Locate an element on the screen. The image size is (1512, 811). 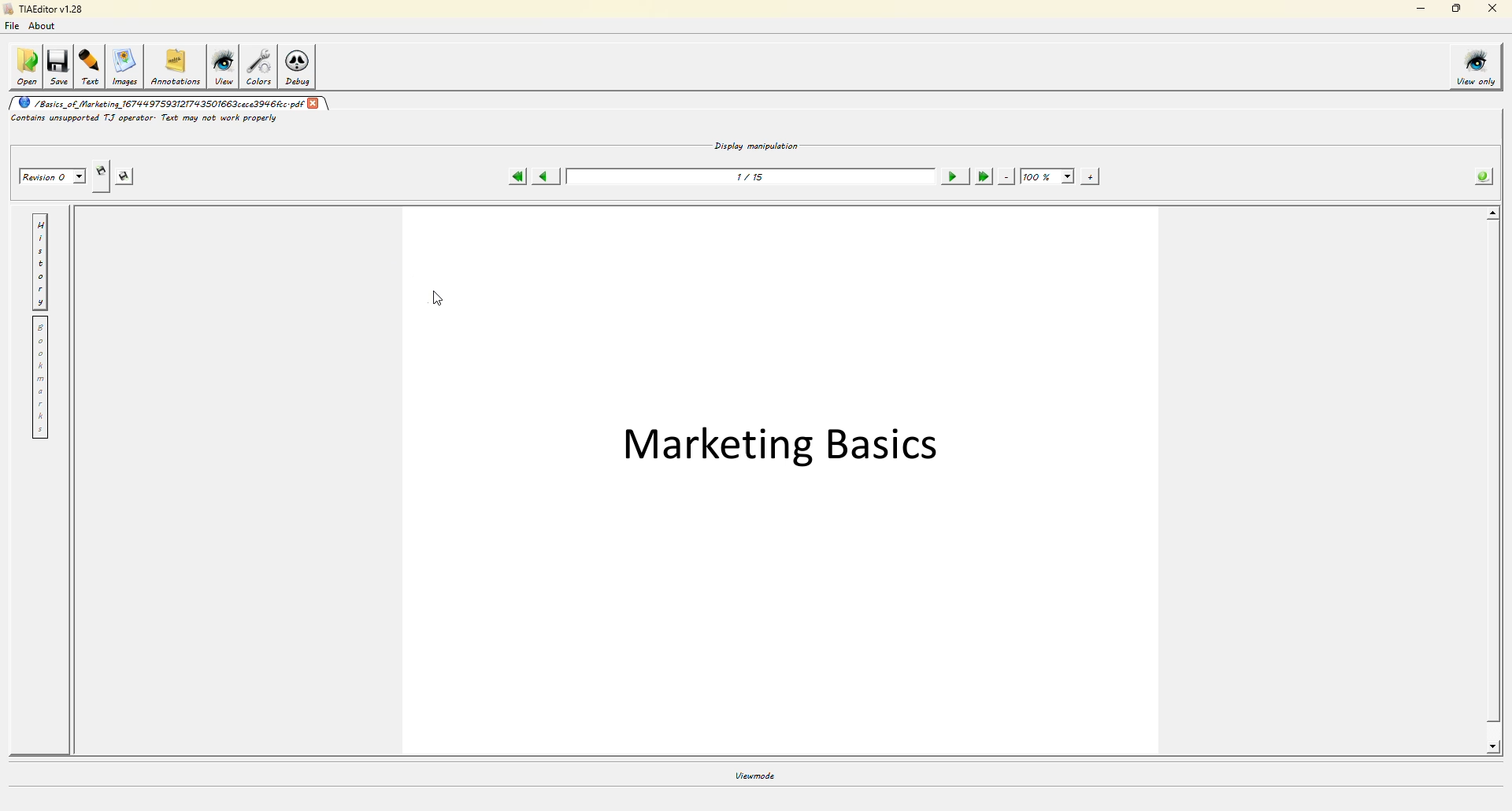
save is located at coordinates (59, 67).